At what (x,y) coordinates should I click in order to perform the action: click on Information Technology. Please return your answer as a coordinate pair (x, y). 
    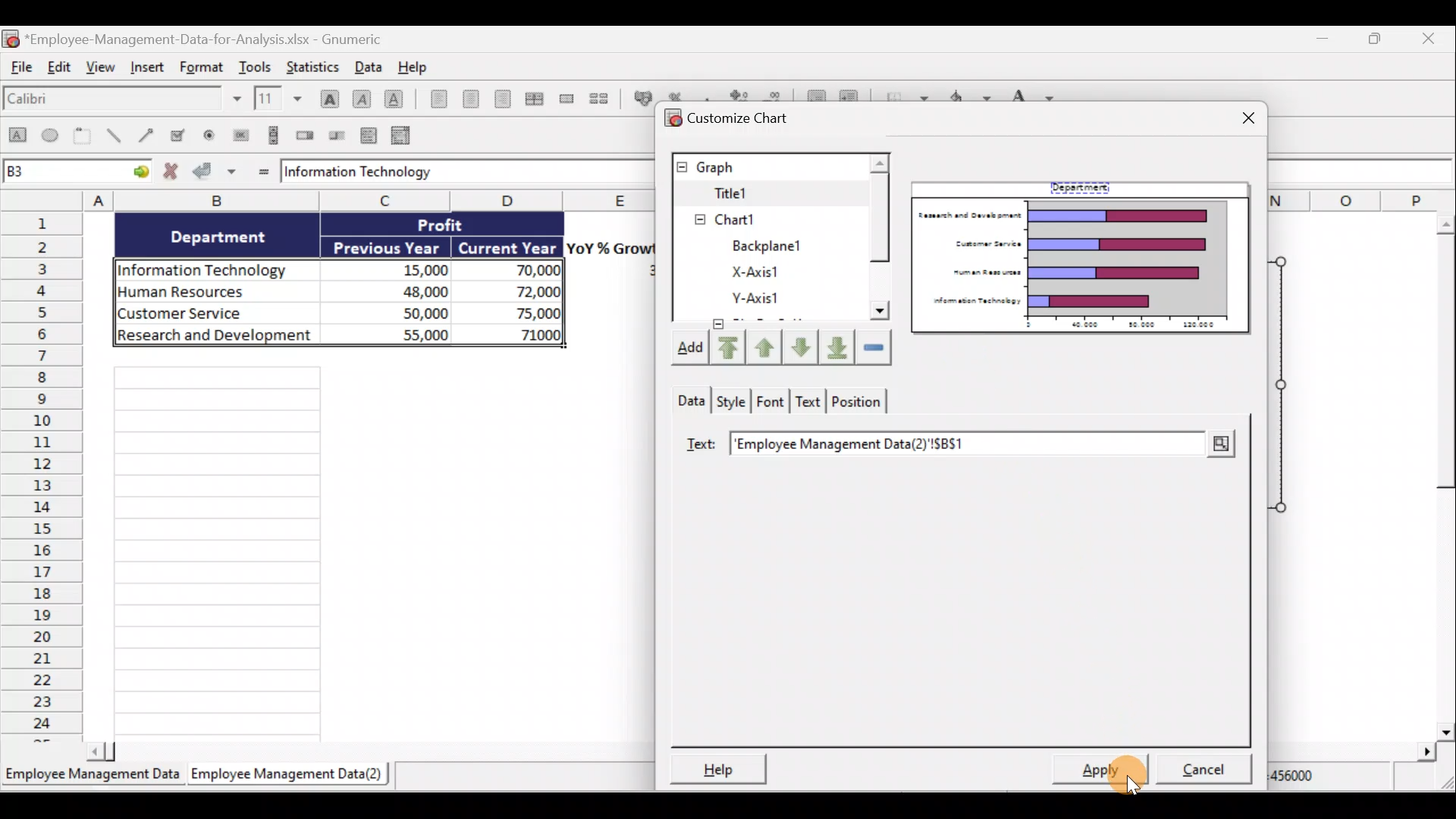
    Looking at the image, I should click on (209, 266).